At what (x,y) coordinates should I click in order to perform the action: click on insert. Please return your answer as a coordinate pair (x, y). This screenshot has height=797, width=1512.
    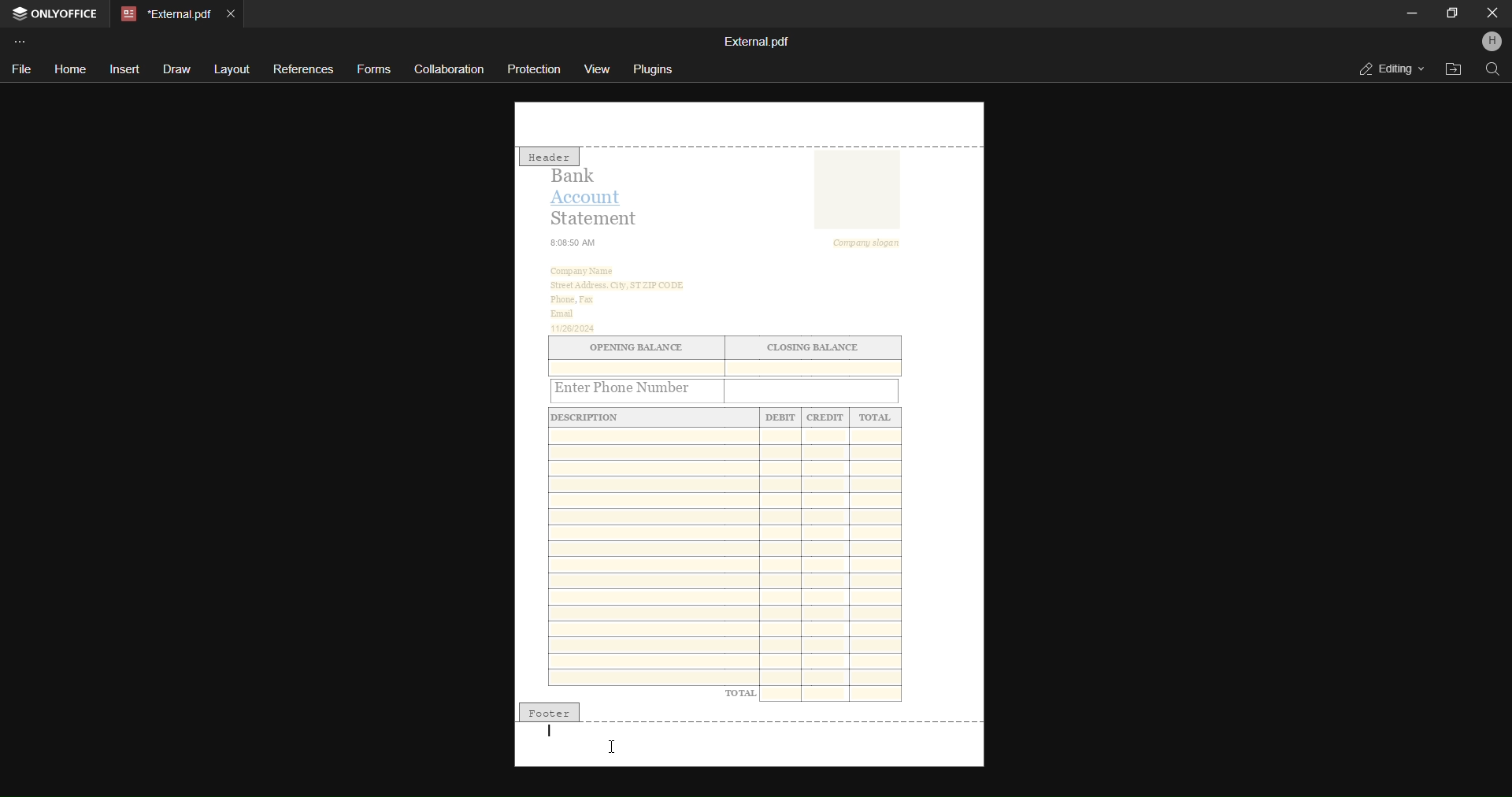
    Looking at the image, I should click on (124, 69).